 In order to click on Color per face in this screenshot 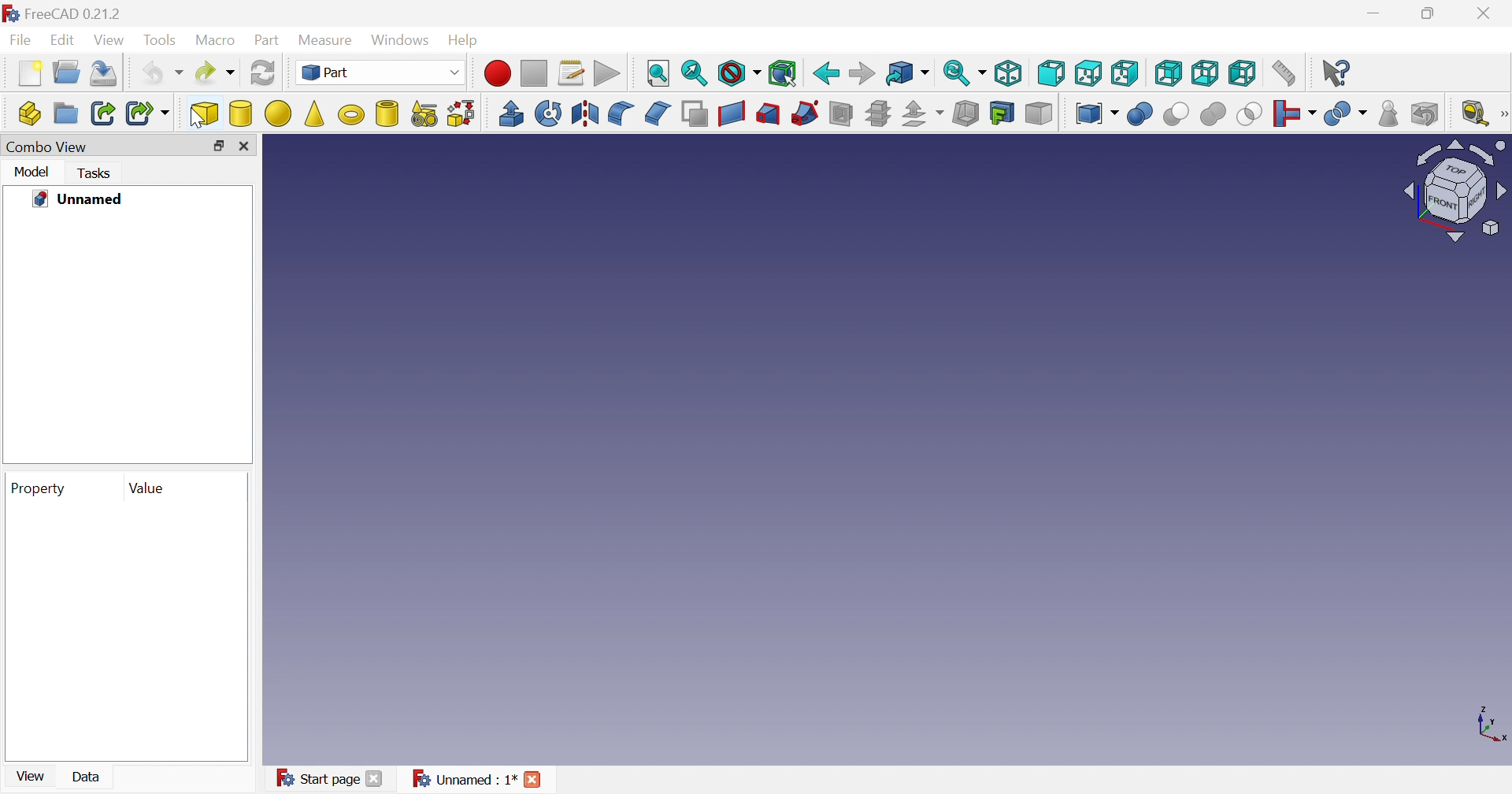, I will do `click(1039, 113)`.